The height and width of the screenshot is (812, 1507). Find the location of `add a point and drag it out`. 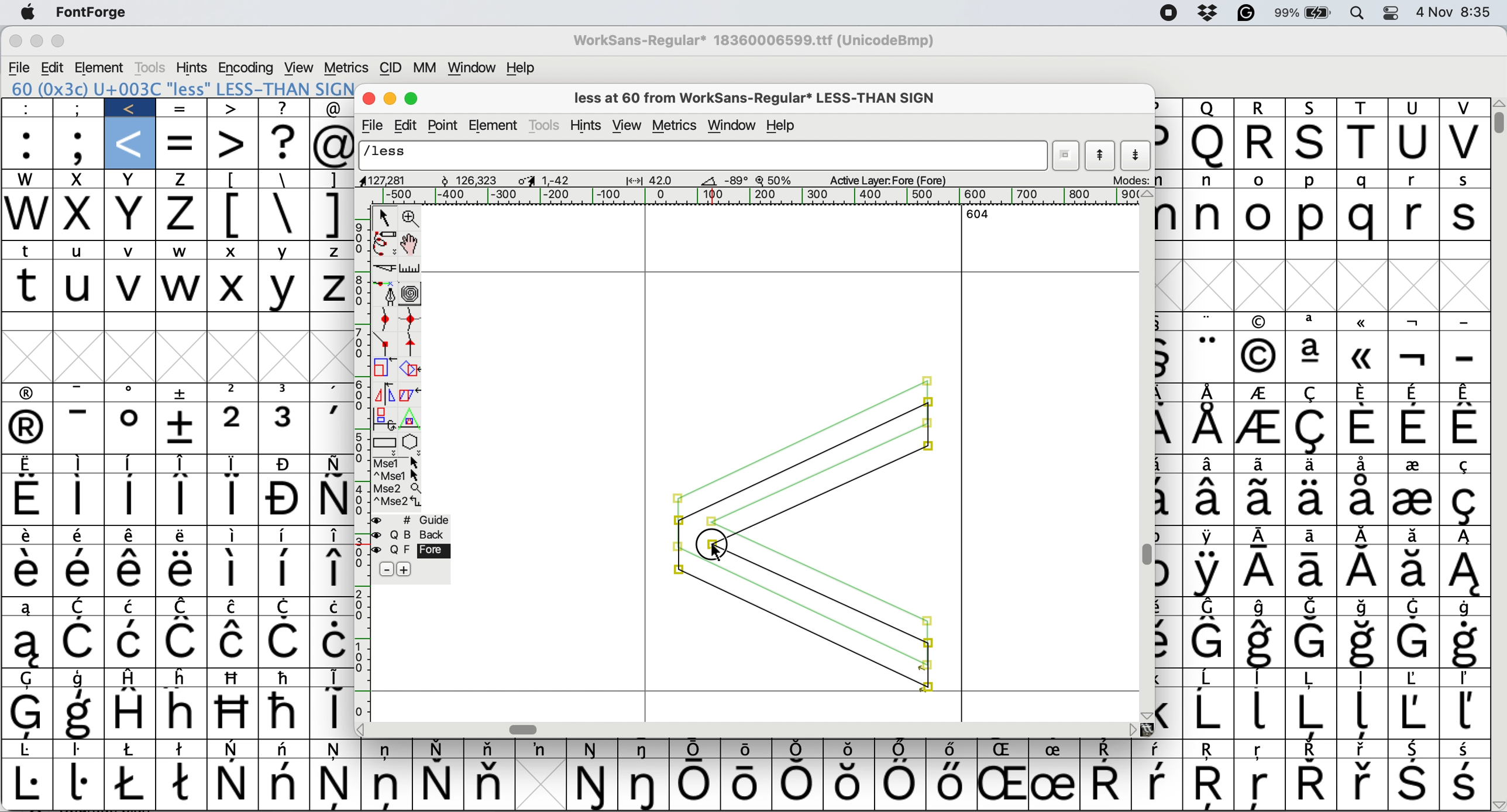

add a point and drag it out is located at coordinates (386, 293).